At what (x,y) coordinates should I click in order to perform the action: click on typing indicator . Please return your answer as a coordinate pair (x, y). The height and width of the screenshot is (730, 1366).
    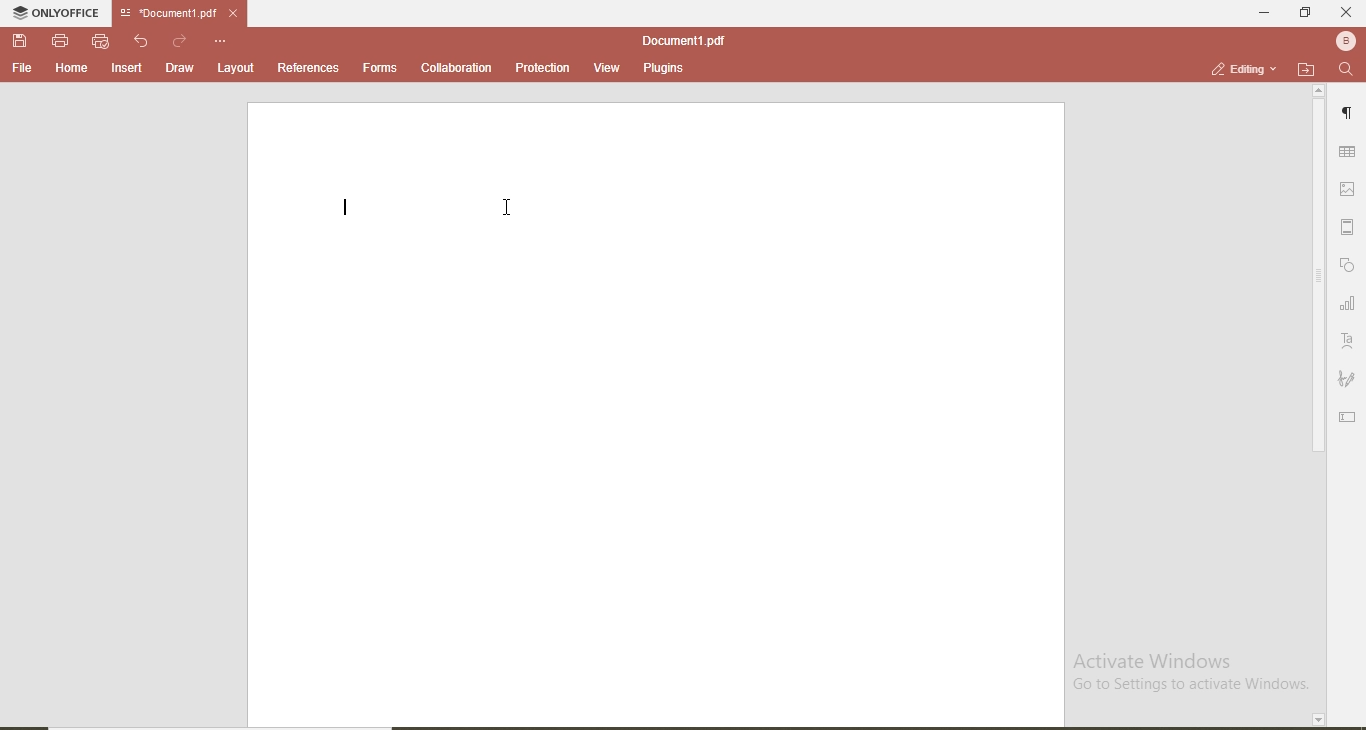
    Looking at the image, I should click on (346, 210).